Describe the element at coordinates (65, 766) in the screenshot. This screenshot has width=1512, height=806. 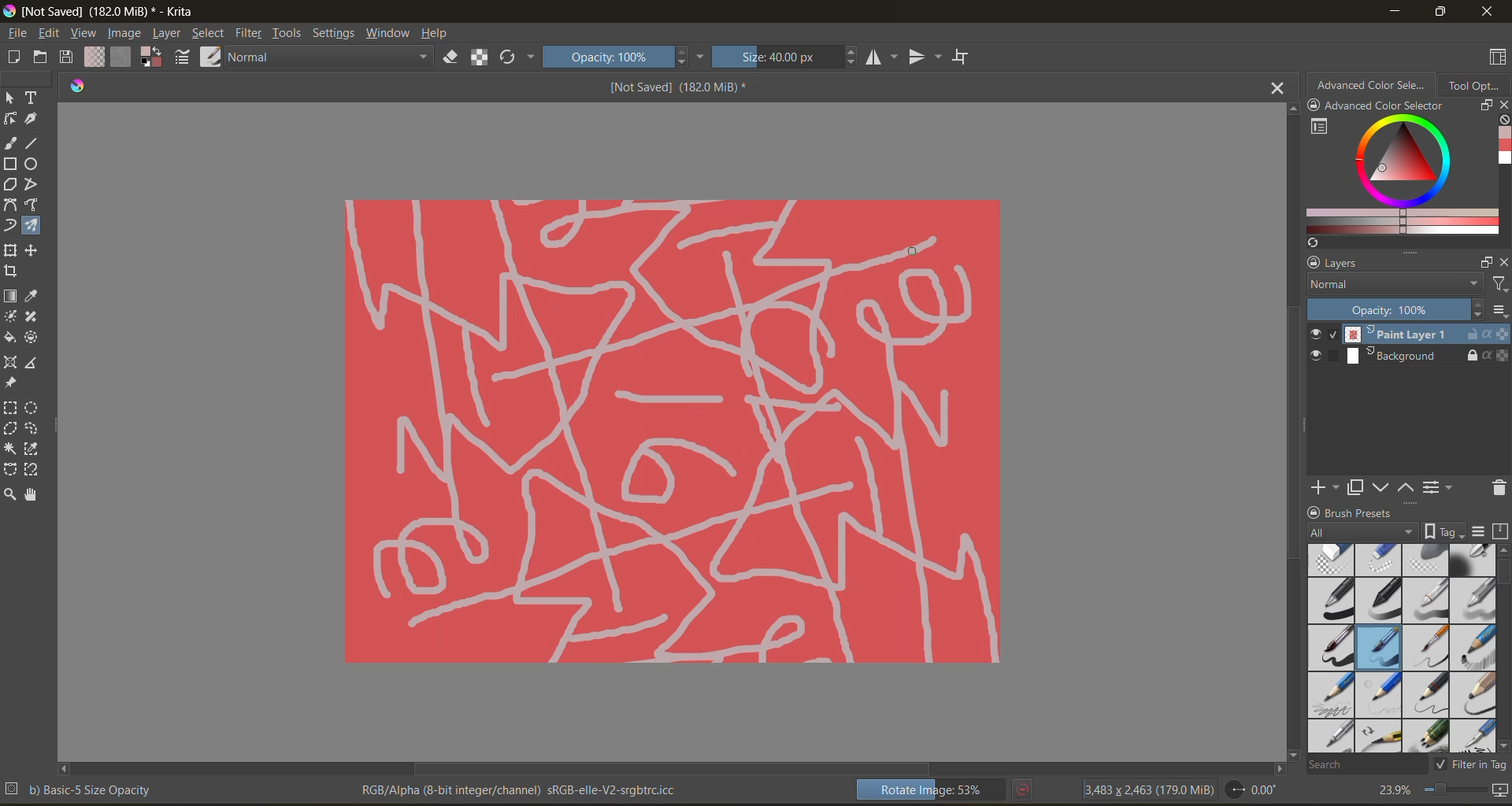
I see `Scroll left` at that location.